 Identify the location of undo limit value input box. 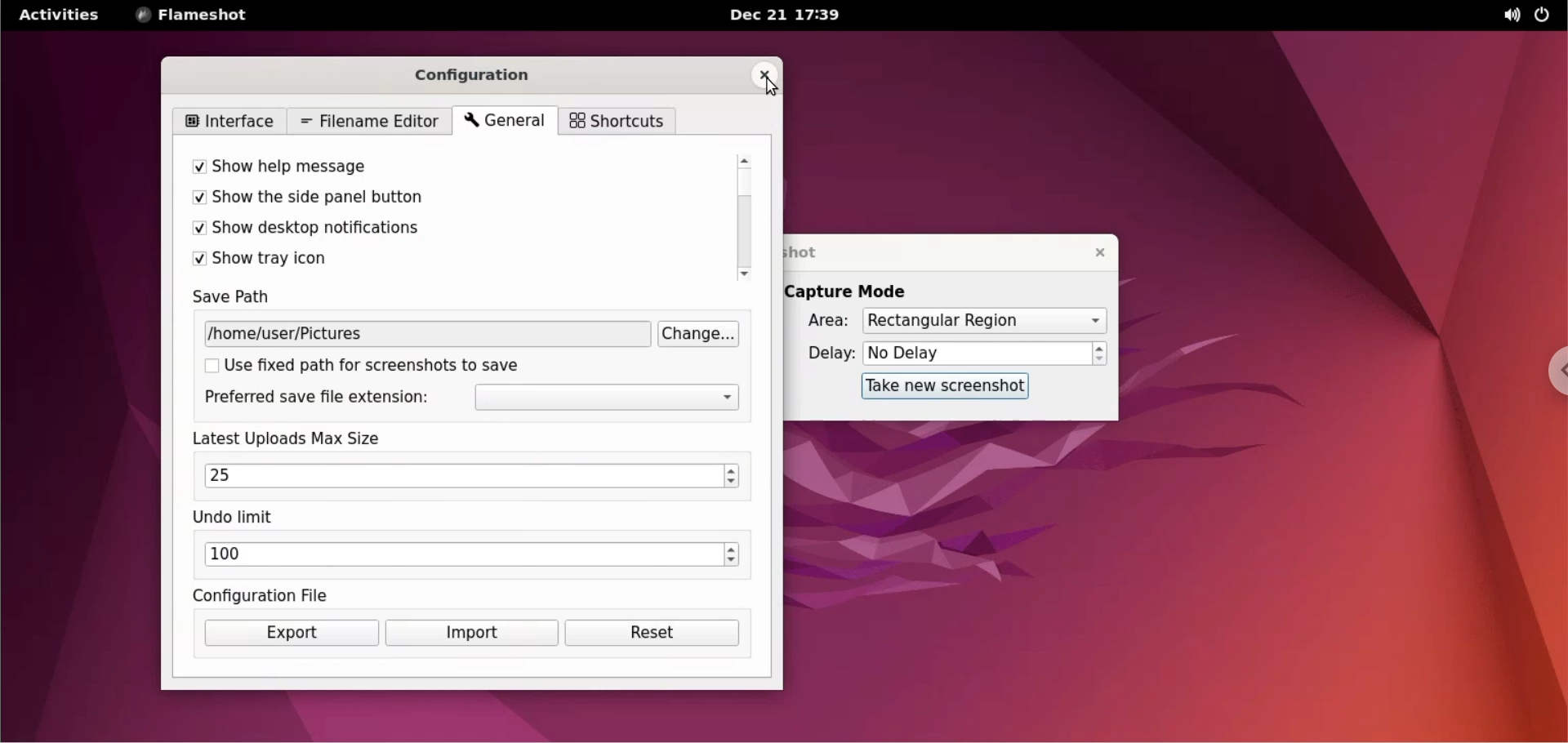
(461, 556).